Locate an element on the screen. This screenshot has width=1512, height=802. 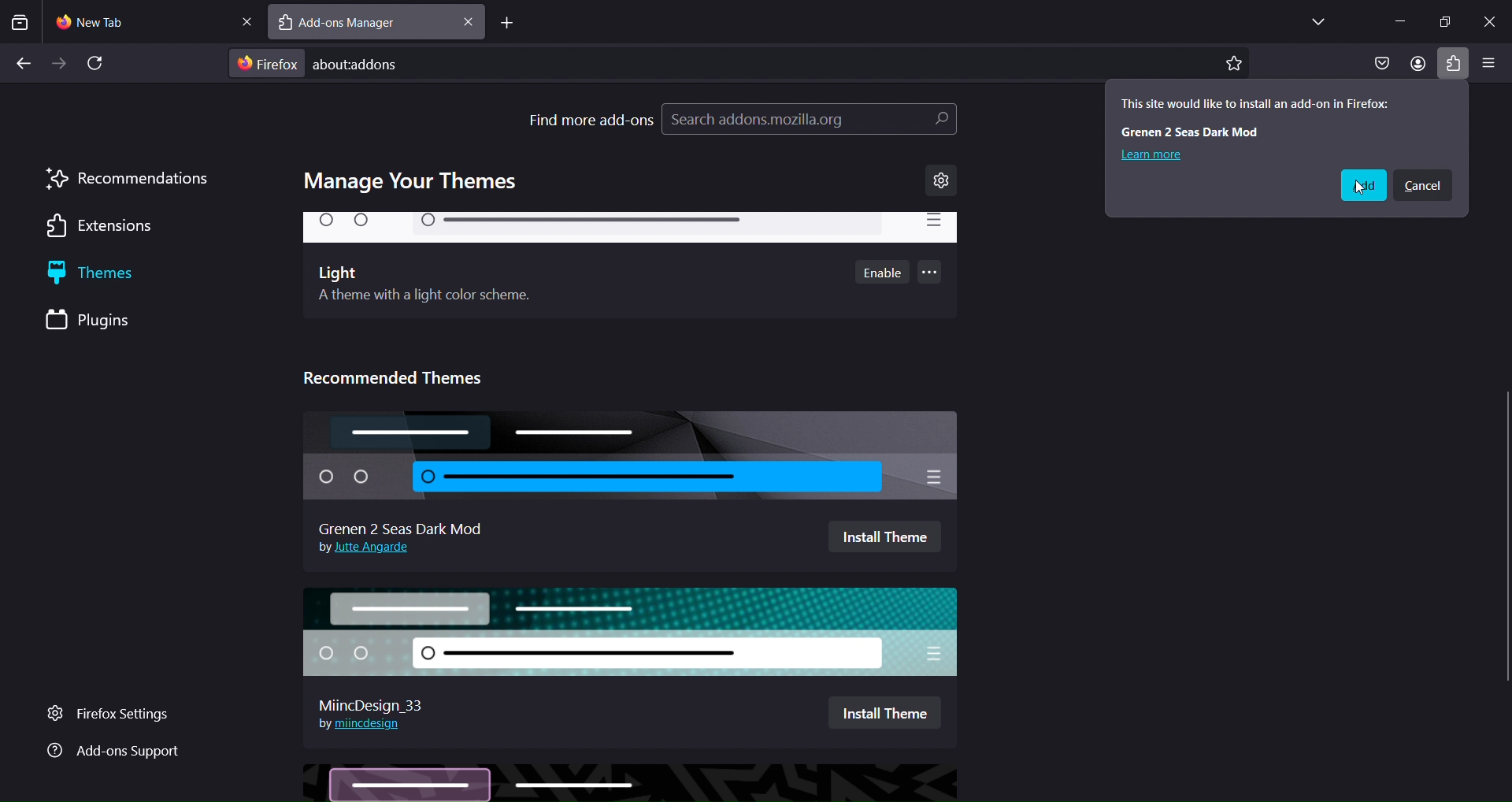
recommended themes is located at coordinates (402, 375).